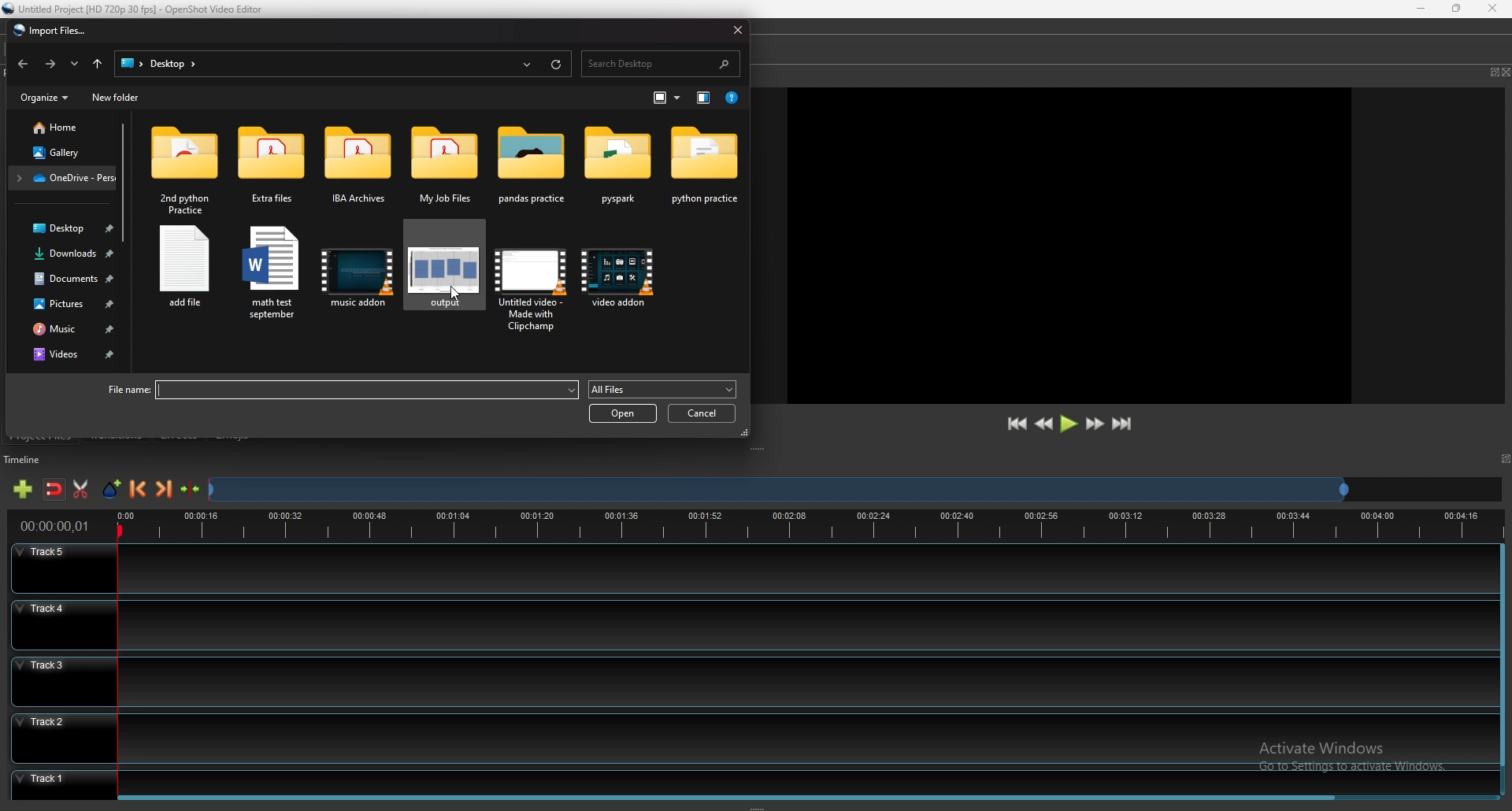  What do you see at coordinates (1045, 424) in the screenshot?
I see `rewind` at bounding box center [1045, 424].